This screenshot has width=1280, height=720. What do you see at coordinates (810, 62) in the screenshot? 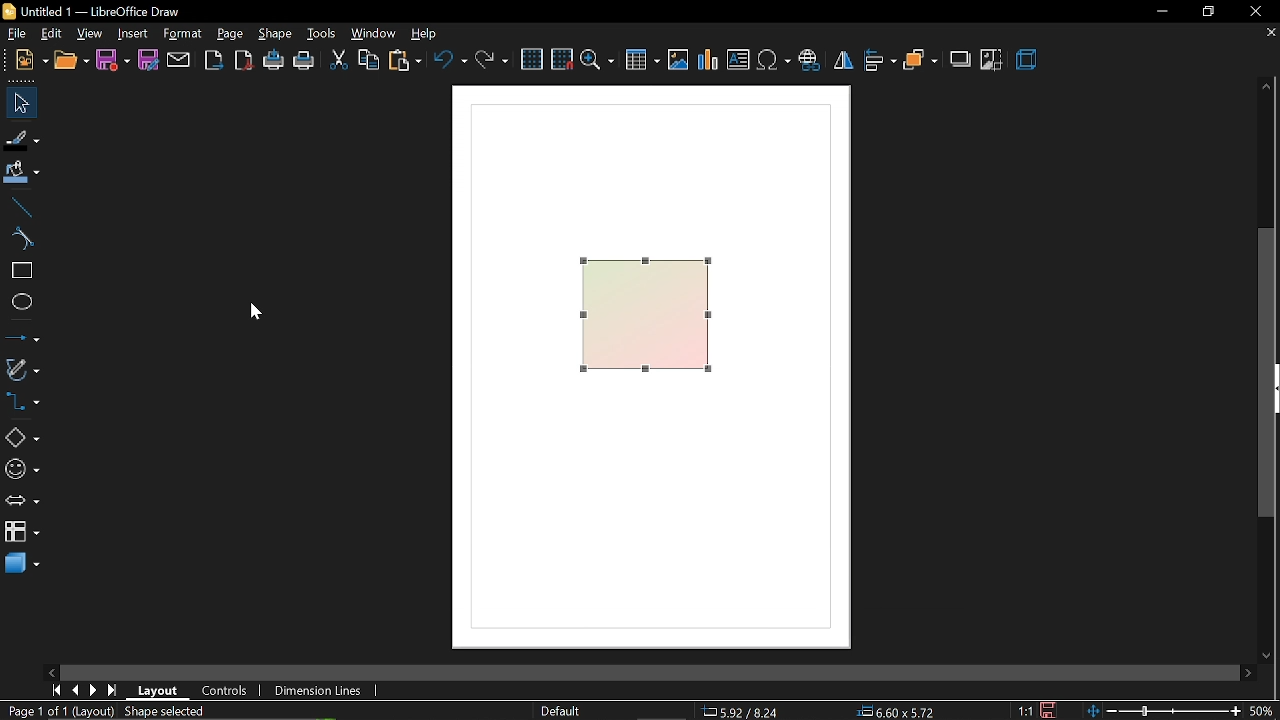
I see `Insert hyperlink` at bounding box center [810, 62].